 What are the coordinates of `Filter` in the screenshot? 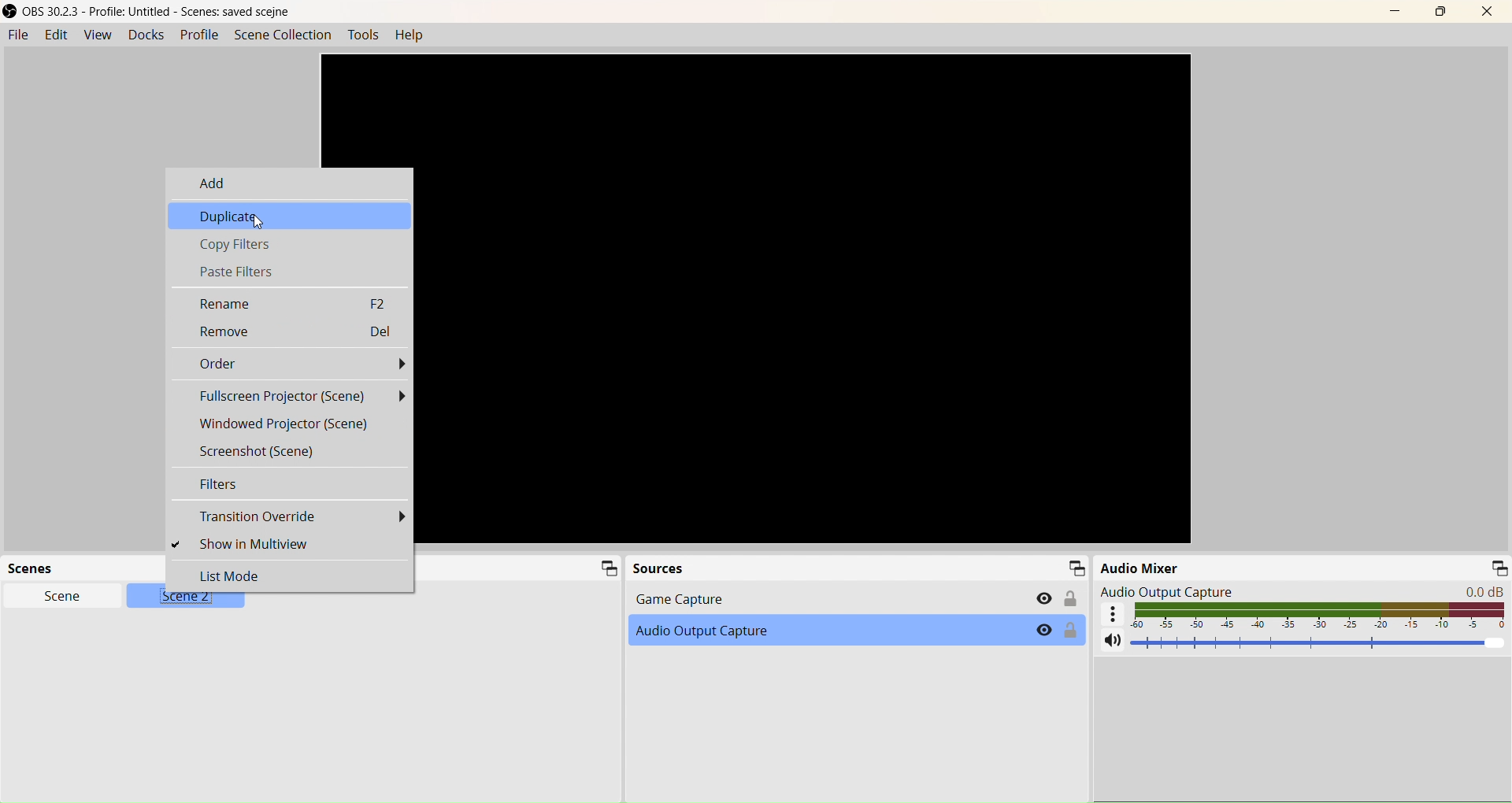 It's located at (286, 483).